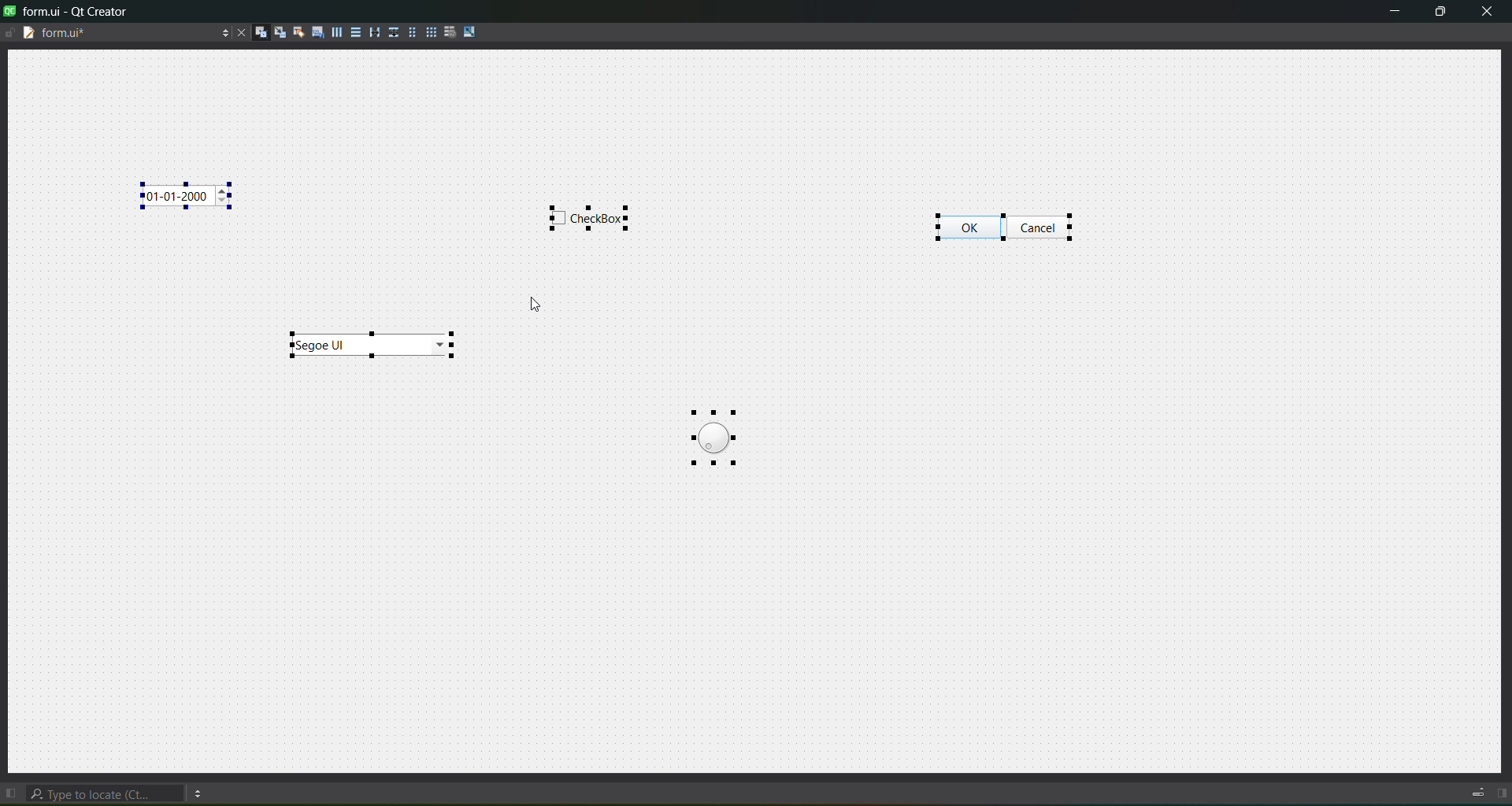  I want to click on Selected WIdgets, so click(712, 434).